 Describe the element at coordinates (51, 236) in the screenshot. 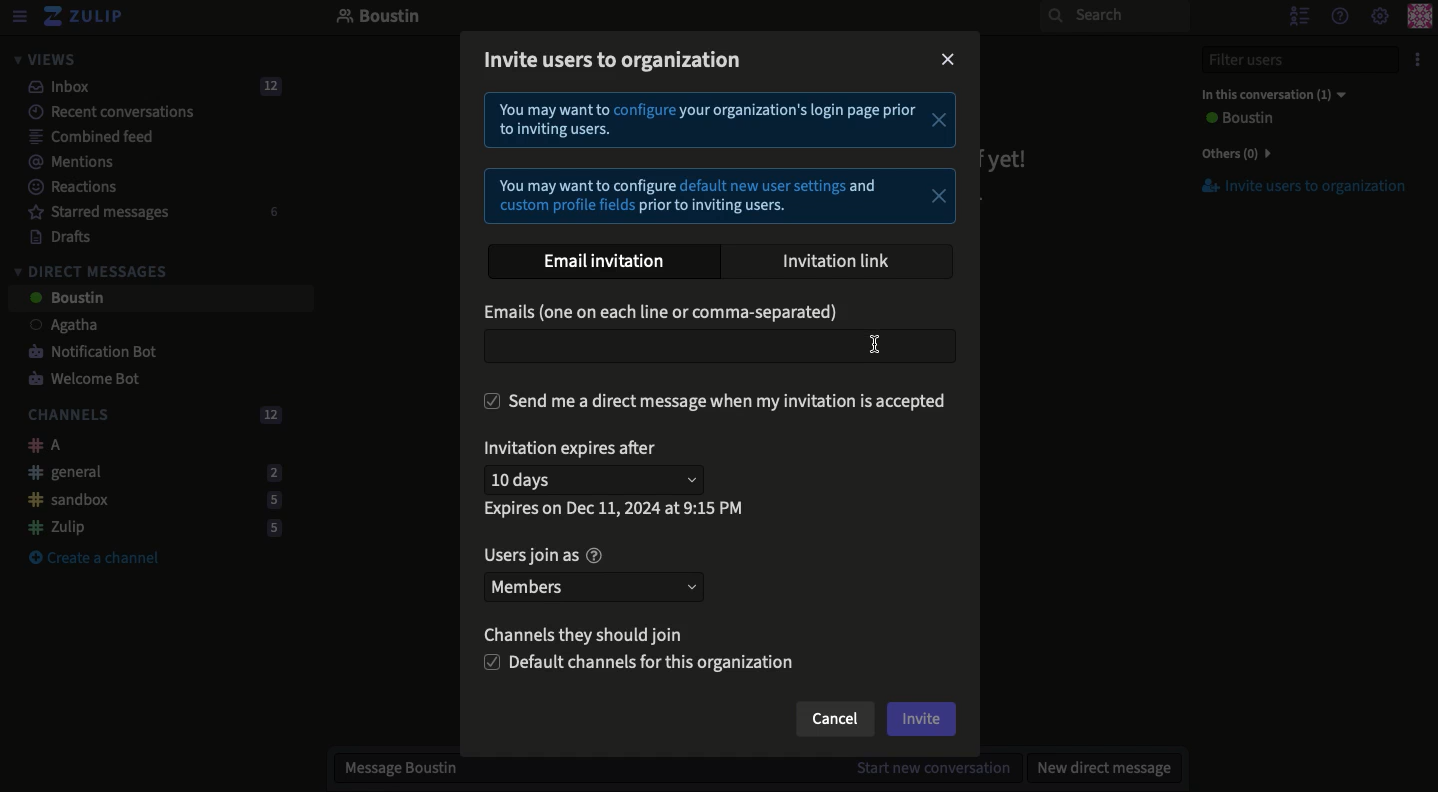

I see `Drafts` at that location.